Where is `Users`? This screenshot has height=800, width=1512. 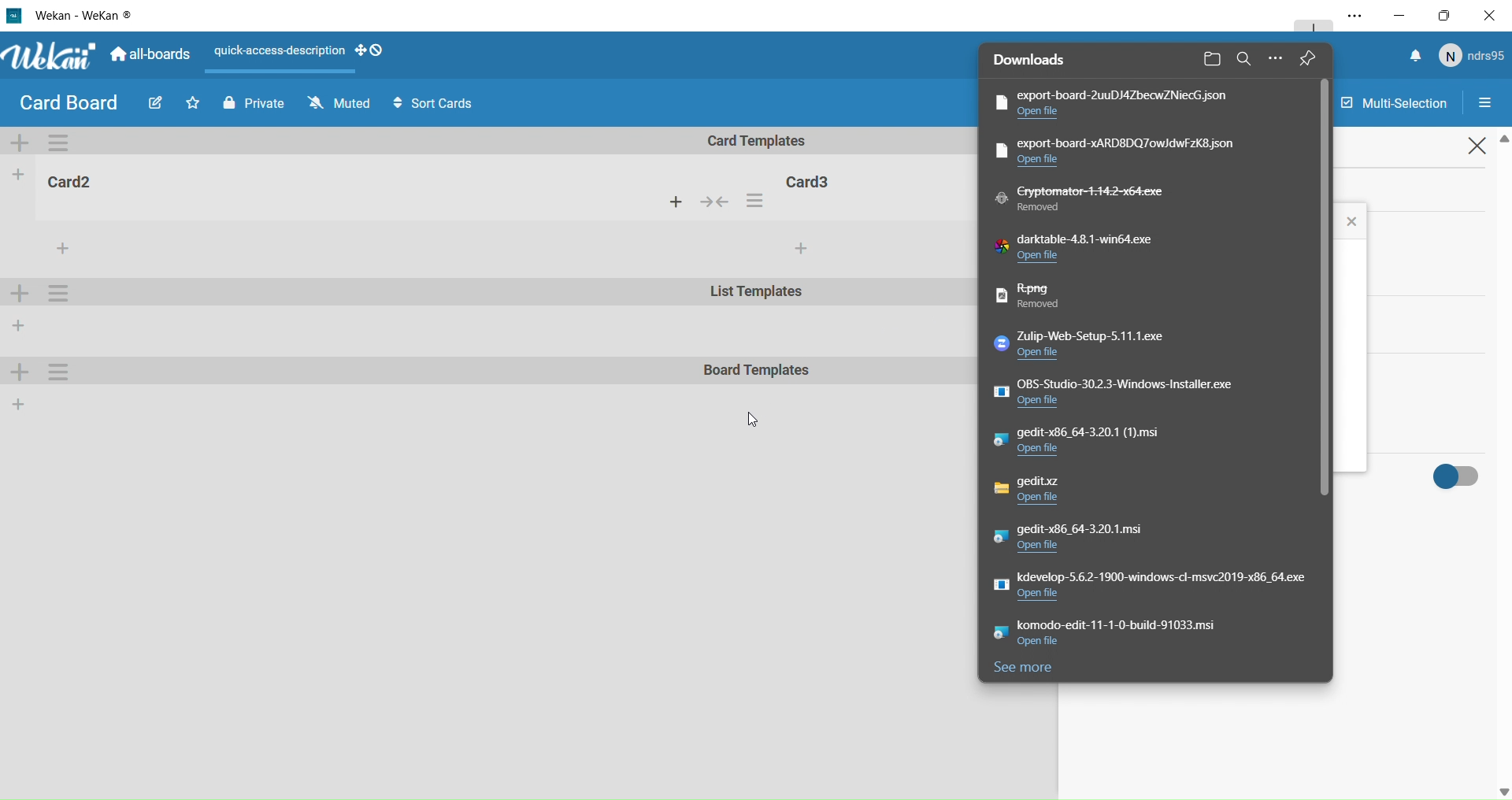 Users is located at coordinates (1475, 57).